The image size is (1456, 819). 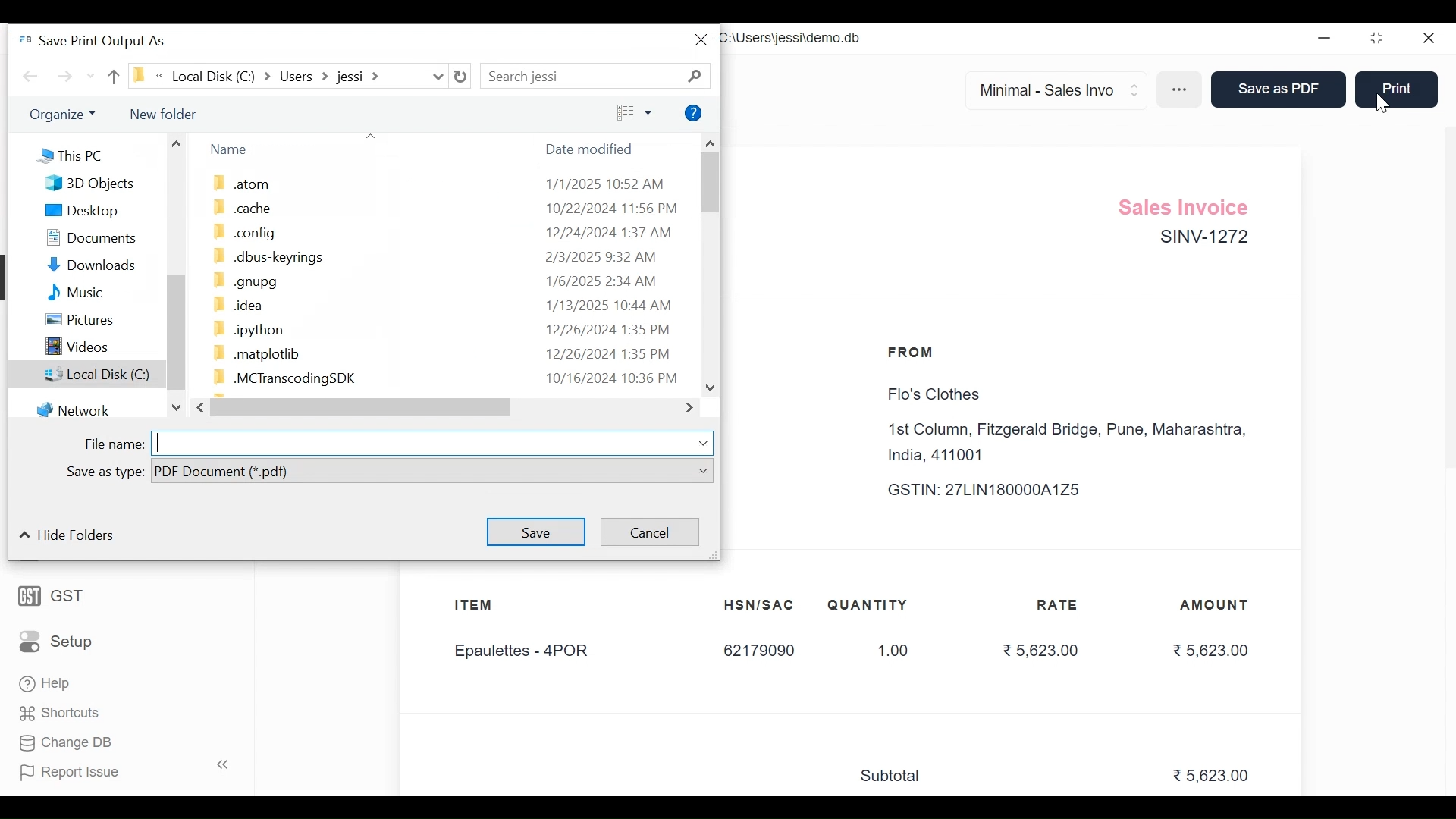 What do you see at coordinates (419, 441) in the screenshot?
I see `Enter File name` at bounding box center [419, 441].